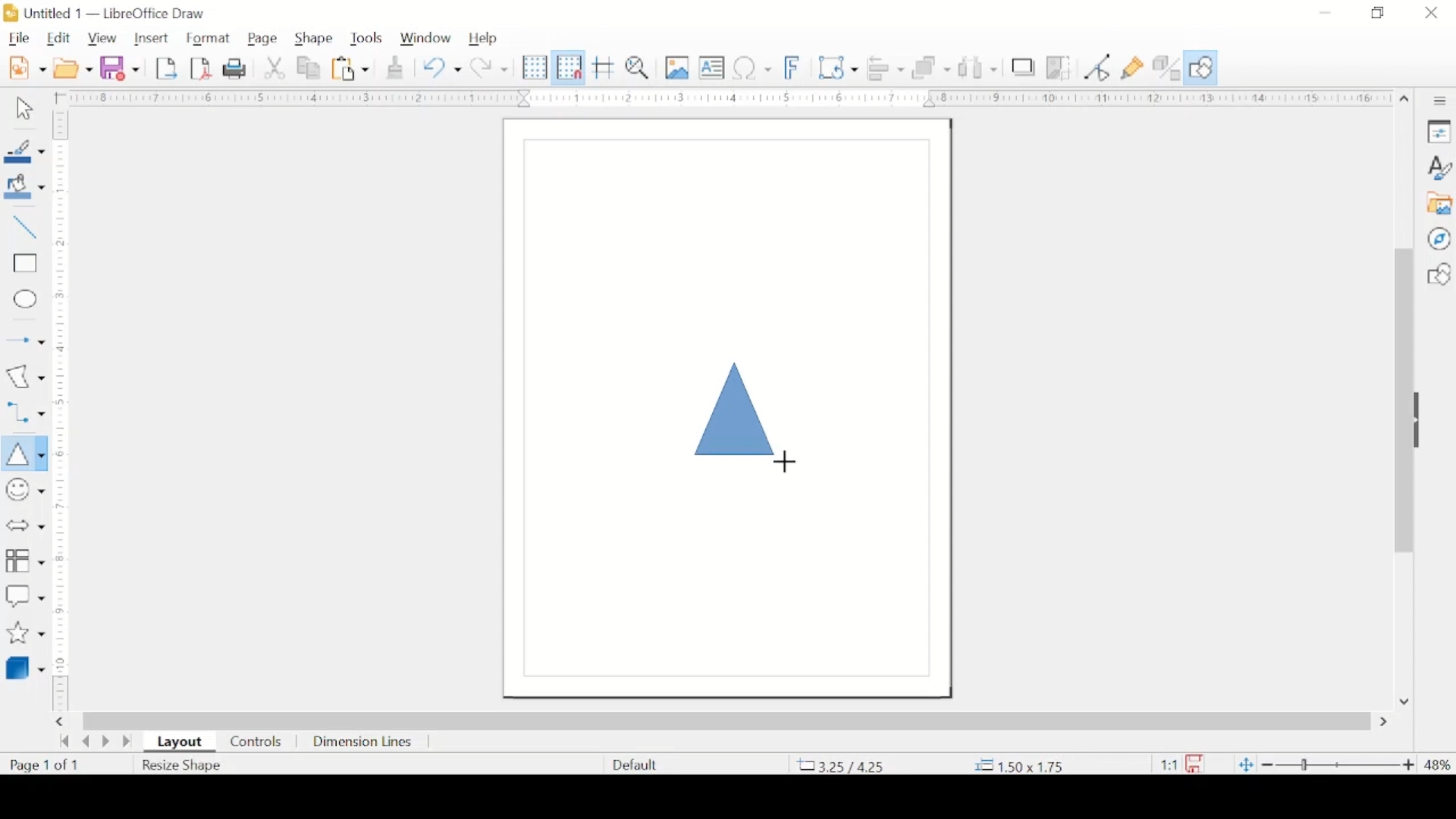 The width and height of the screenshot is (1456, 819). I want to click on redo, so click(491, 67).